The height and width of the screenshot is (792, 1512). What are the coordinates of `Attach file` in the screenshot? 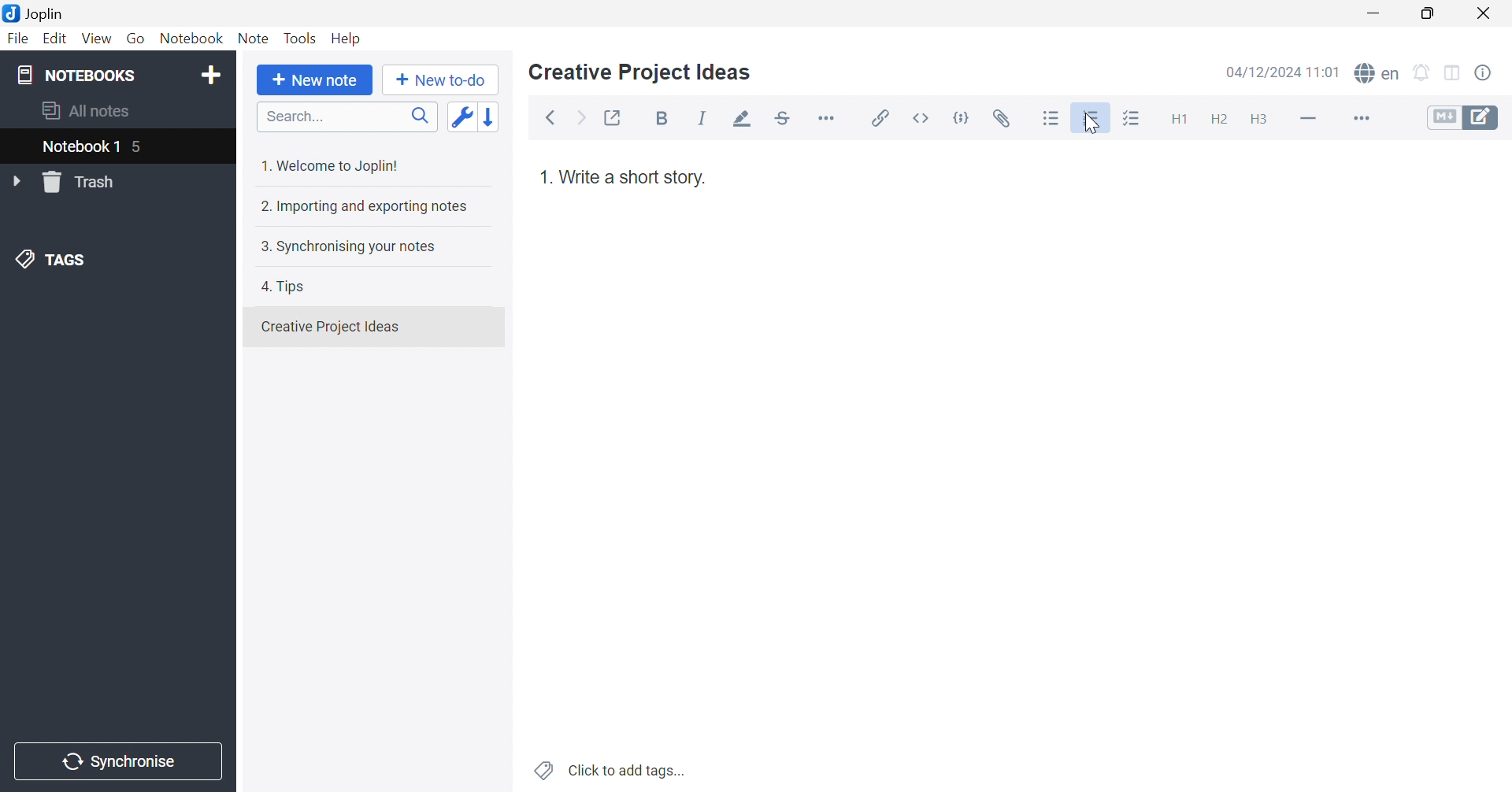 It's located at (1007, 120).